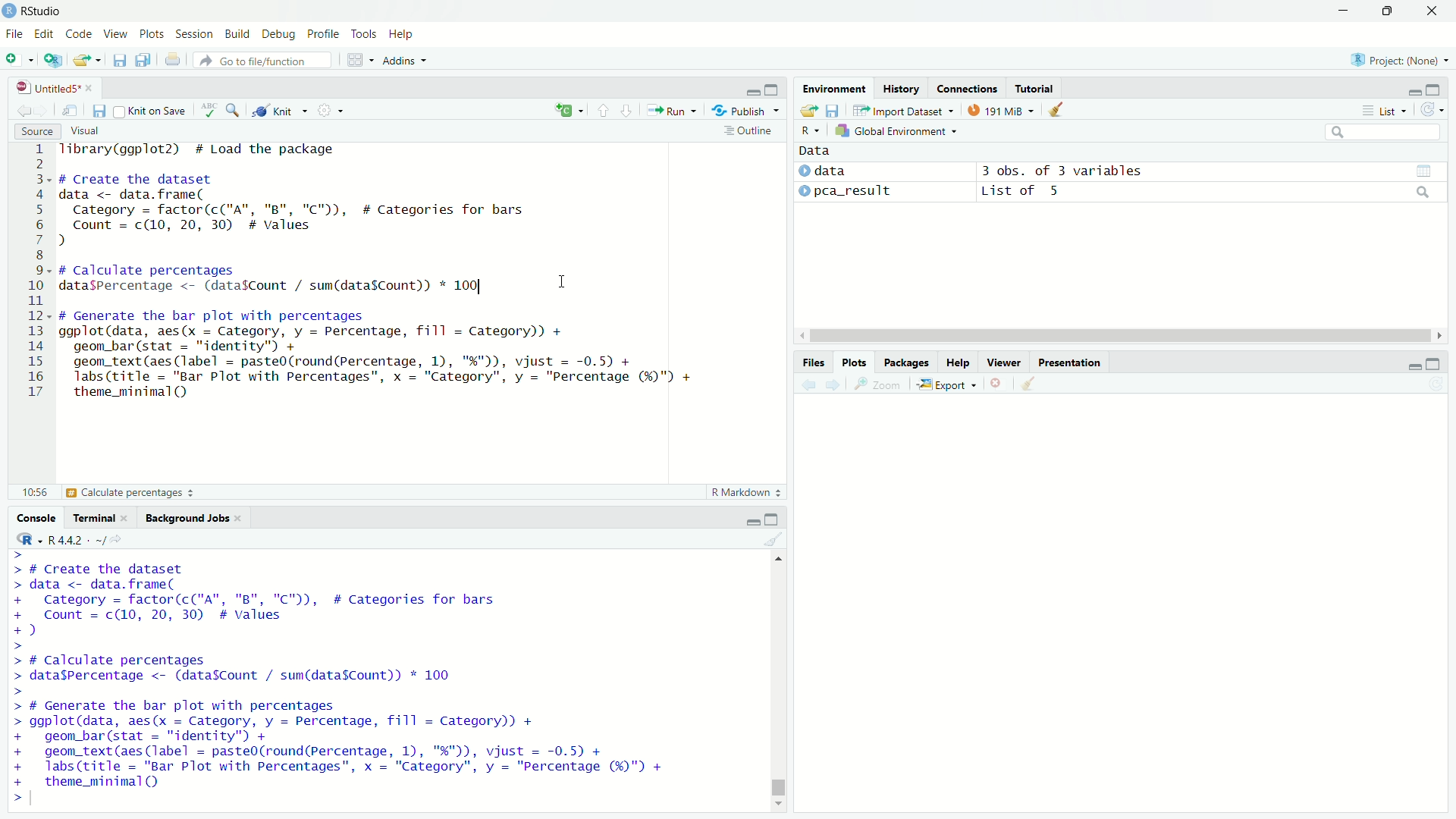 This screenshot has height=819, width=1456. What do you see at coordinates (357, 59) in the screenshot?
I see `workspace panes` at bounding box center [357, 59].